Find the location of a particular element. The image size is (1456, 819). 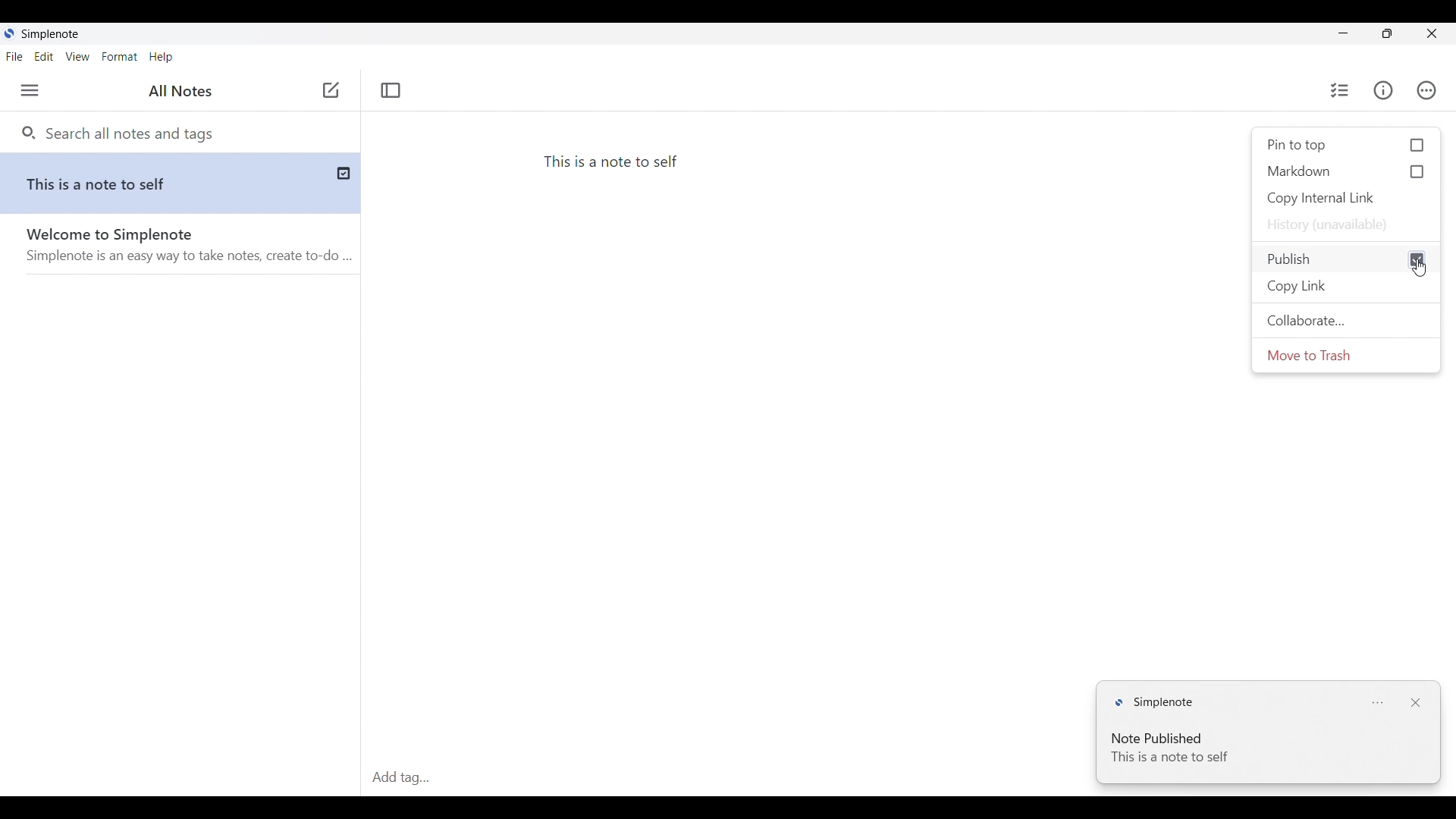

Click to add new note is located at coordinates (331, 89).